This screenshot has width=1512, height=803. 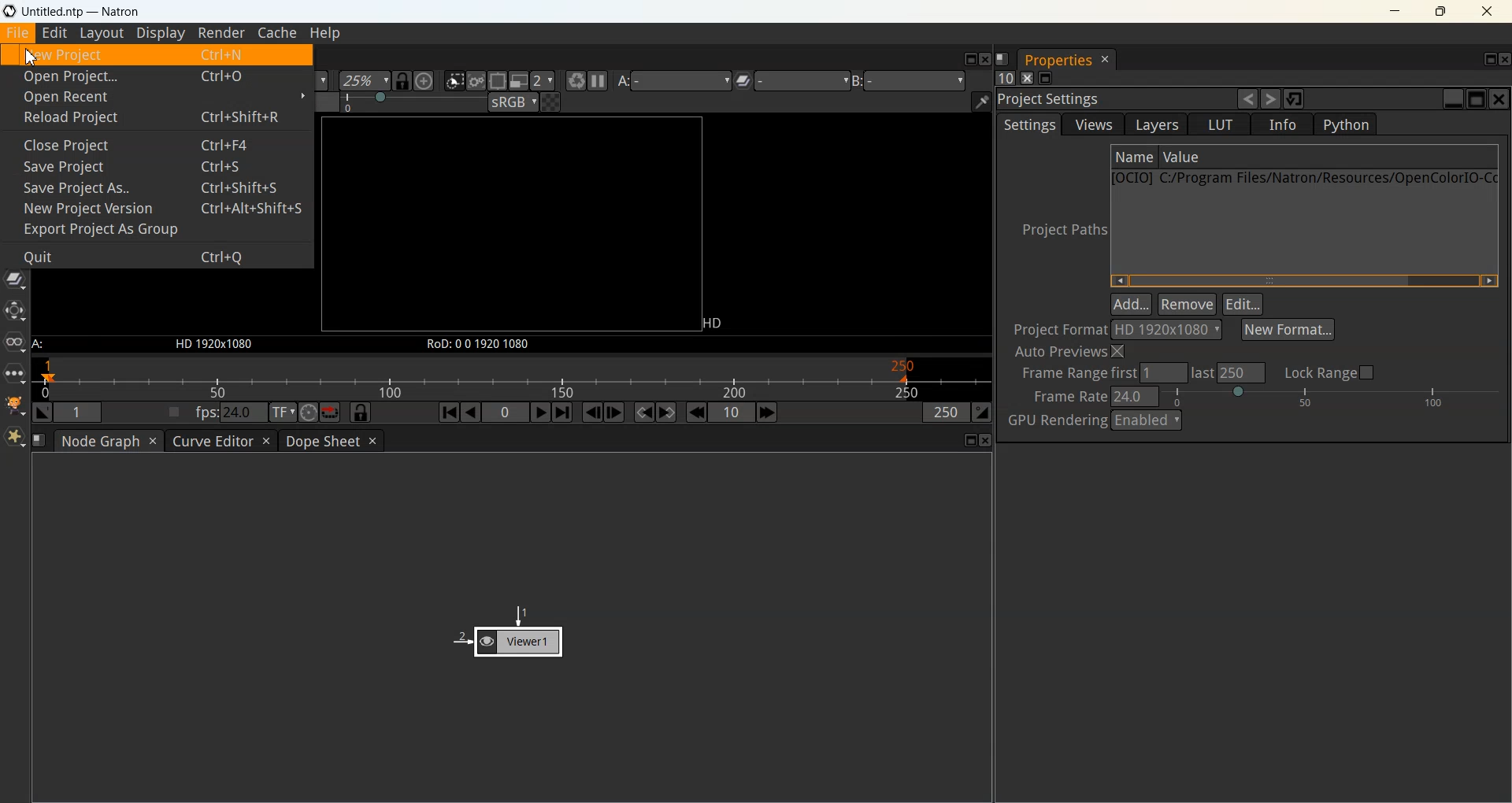 What do you see at coordinates (1219, 124) in the screenshot?
I see `LUT` at bounding box center [1219, 124].